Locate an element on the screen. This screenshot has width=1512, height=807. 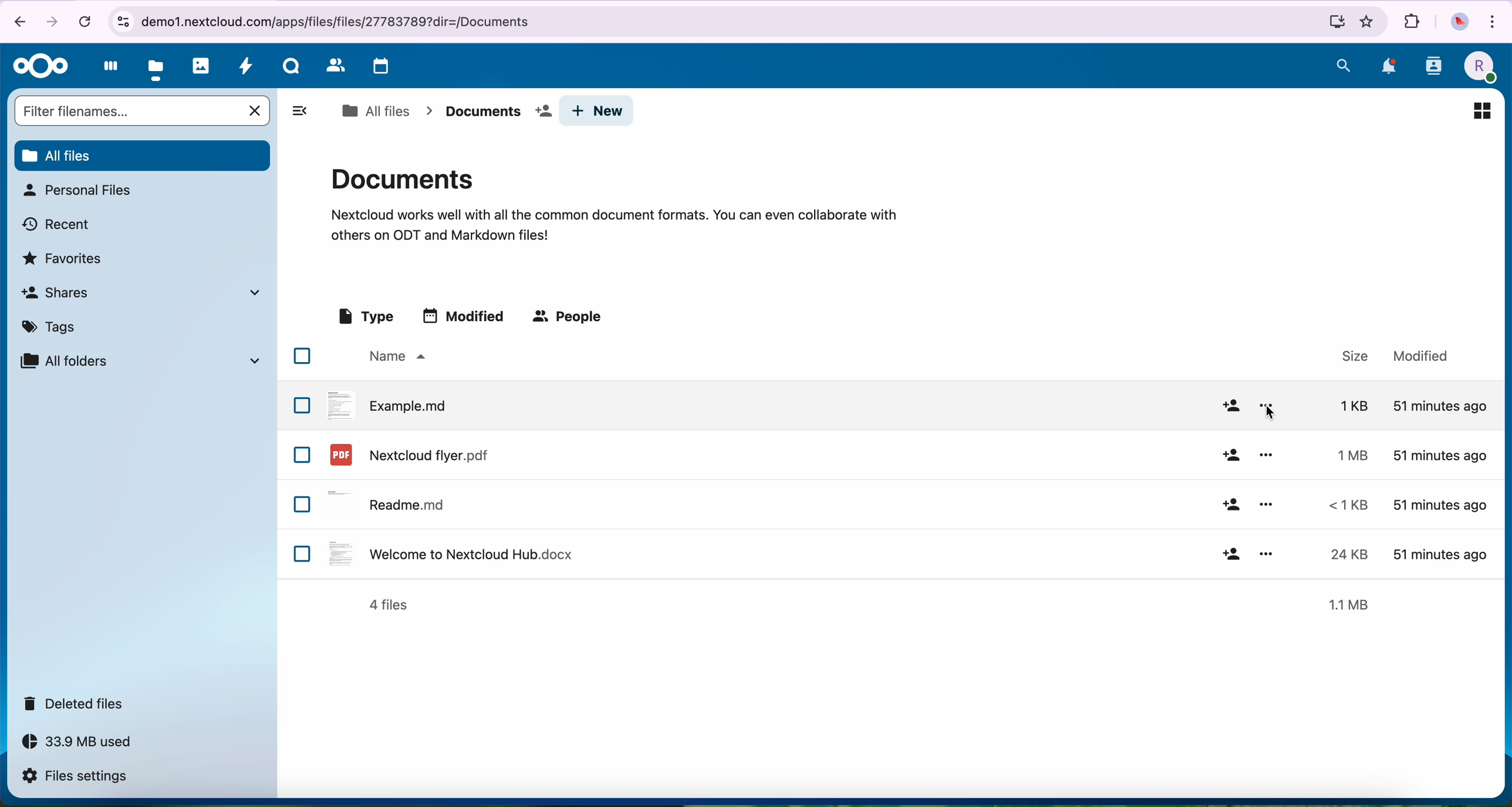
notifications is located at coordinates (1386, 66).